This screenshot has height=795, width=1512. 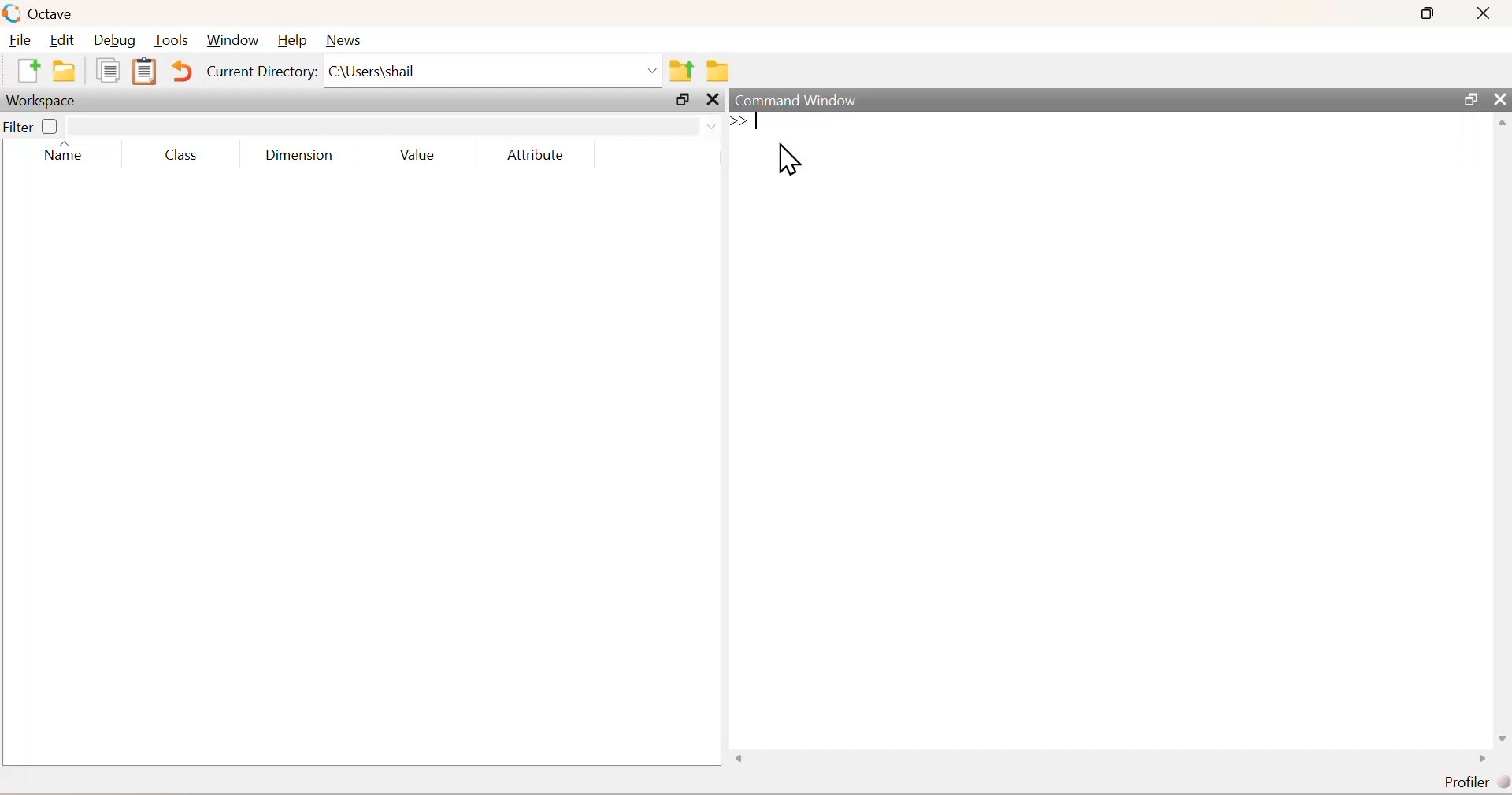 What do you see at coordinates (717, 72) in the screenshot?
I see `folder` at bounding box center [717, 72].